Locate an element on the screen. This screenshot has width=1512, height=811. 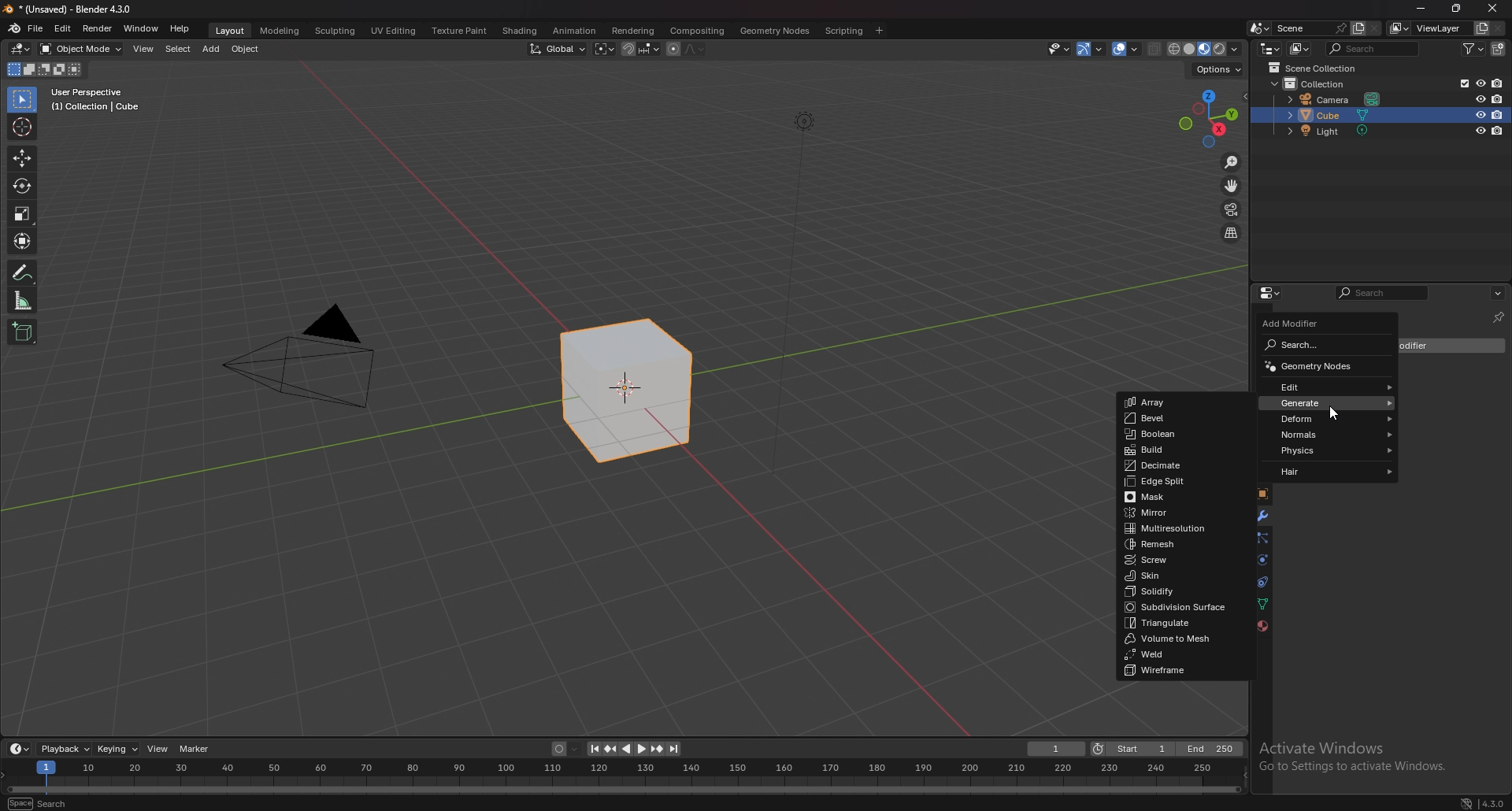
add workspace is located at coordinates (879, 31).